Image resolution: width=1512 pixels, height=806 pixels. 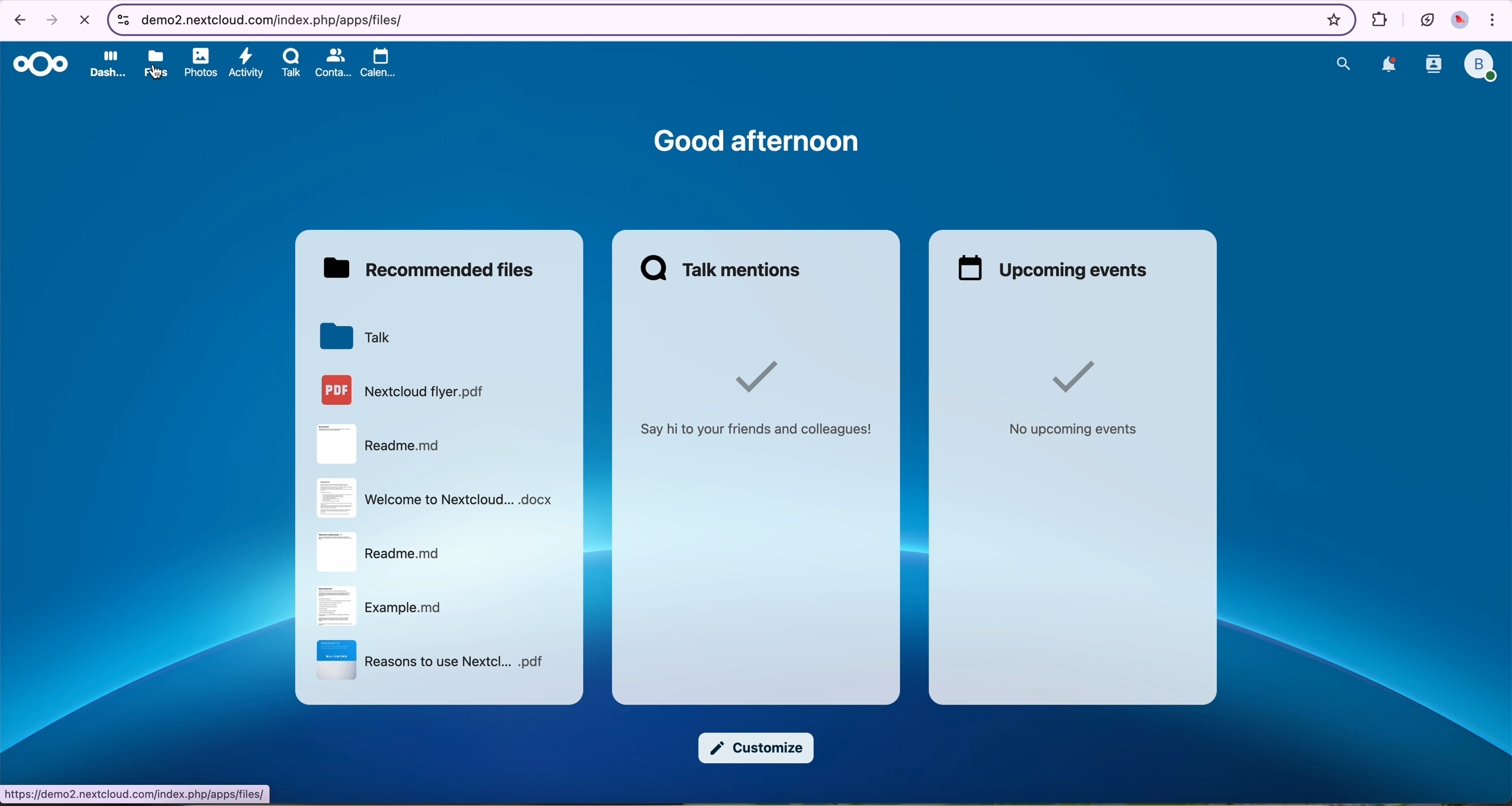 I want to click on Good Afternoon, so click(x=757, y=139).